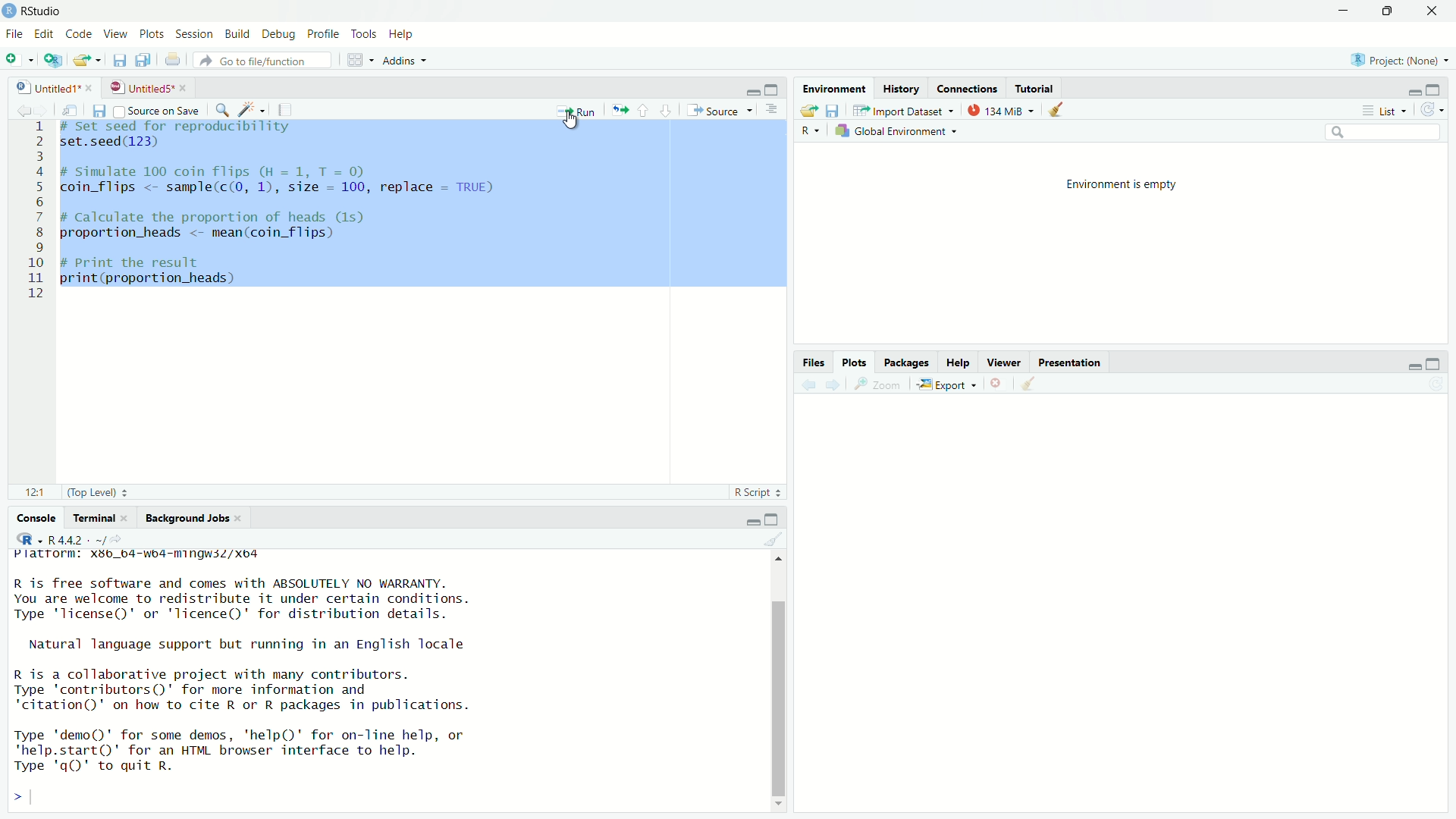  Describe the element at coordinates (185, 88) in the screenshot. I see `close` at that location.